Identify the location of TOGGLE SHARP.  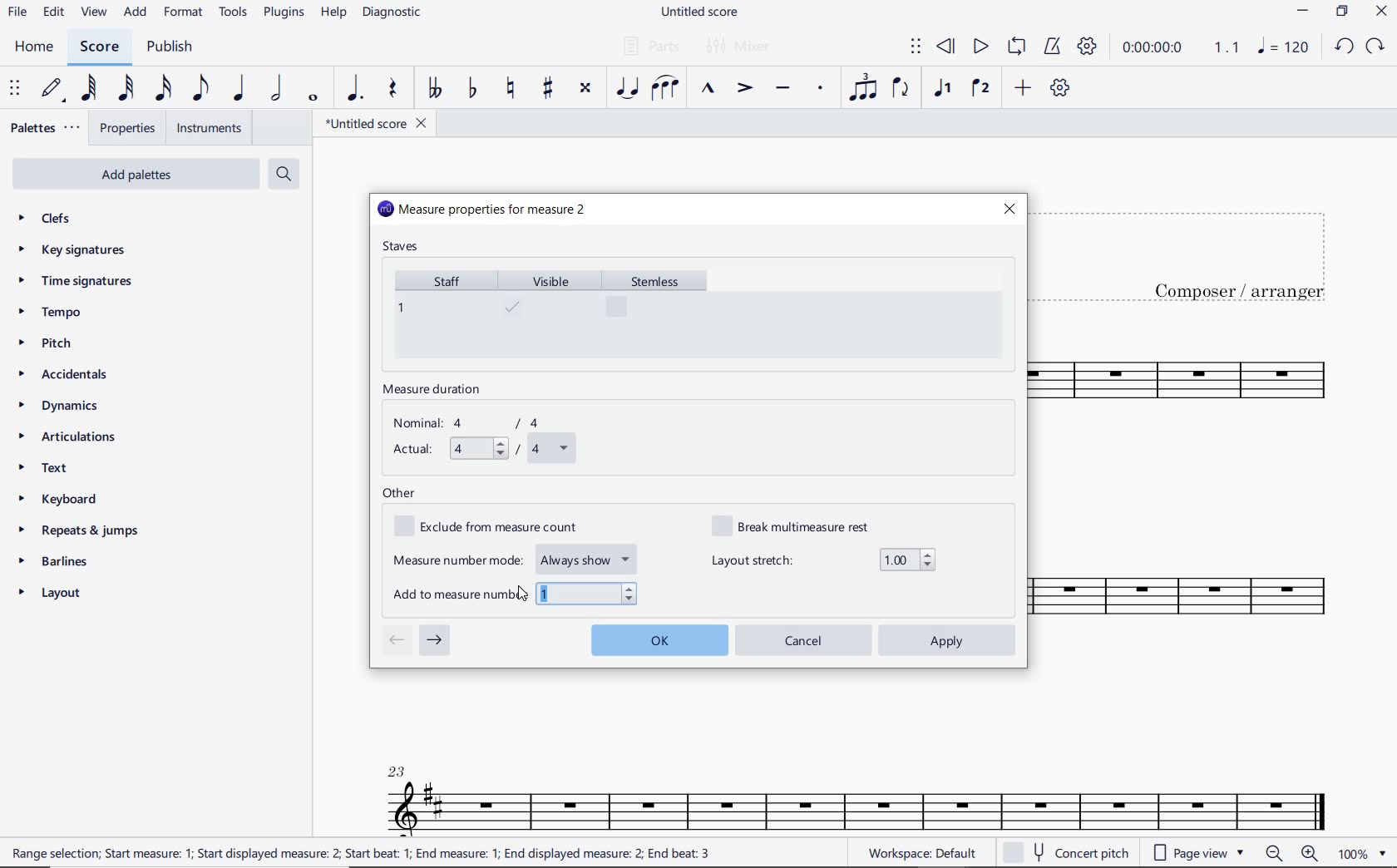
(549, 88).